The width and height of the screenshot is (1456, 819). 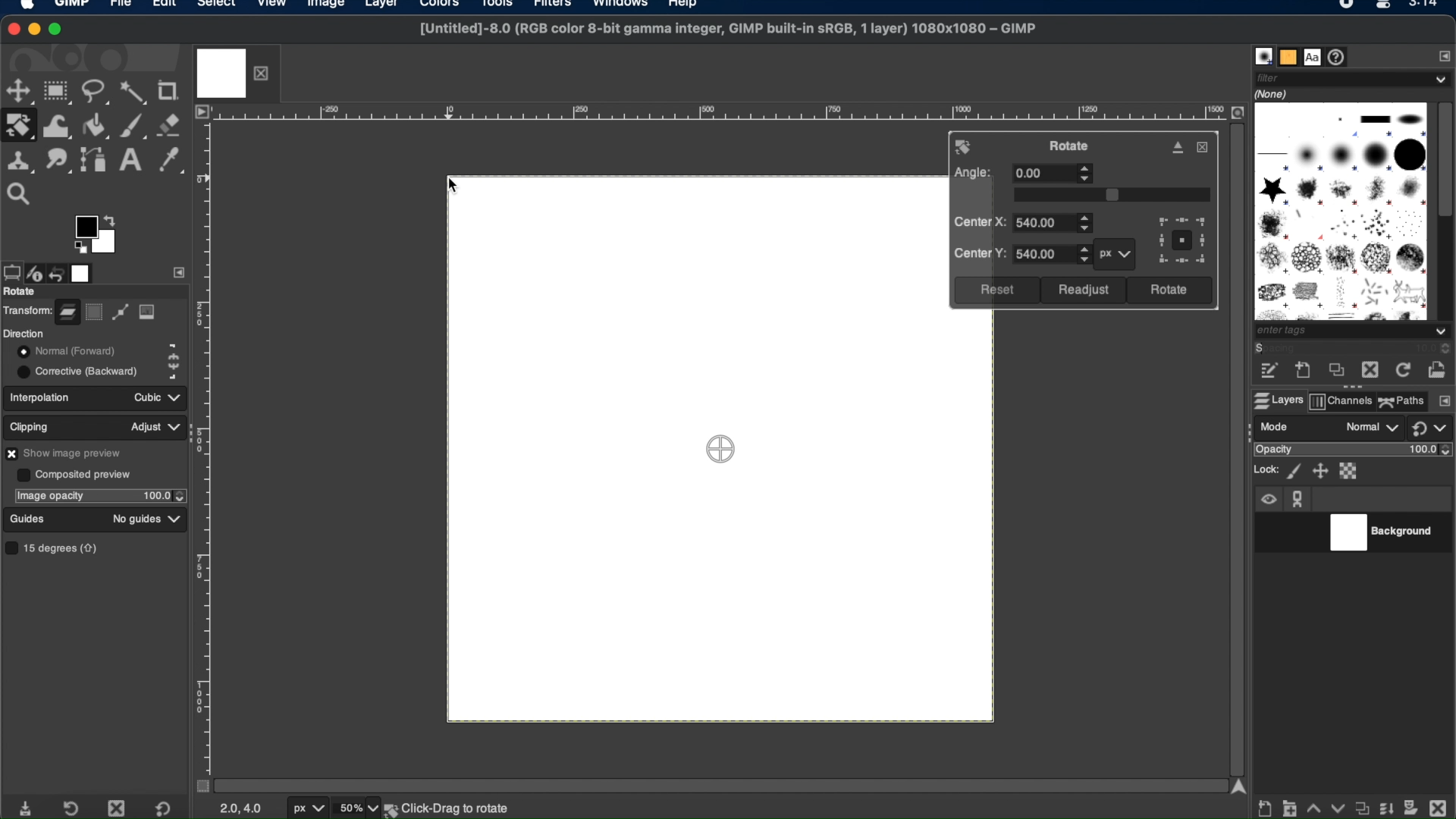 What do you see at coordinates (242, 808) in the screenshot?
I see `cursor coordinates` at bounding box center [242, 808].